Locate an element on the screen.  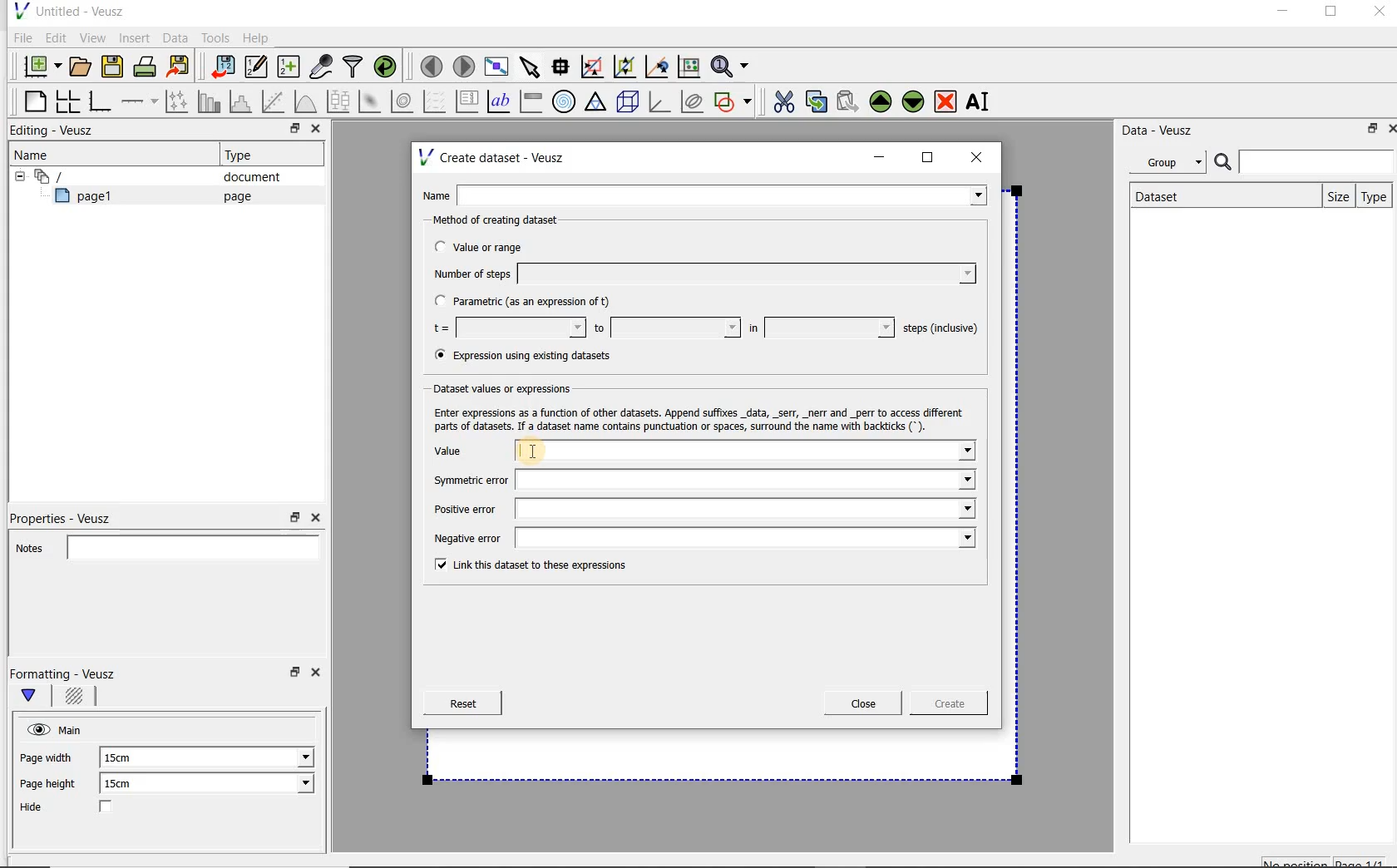
Page height is located at coordinates (53, 786).